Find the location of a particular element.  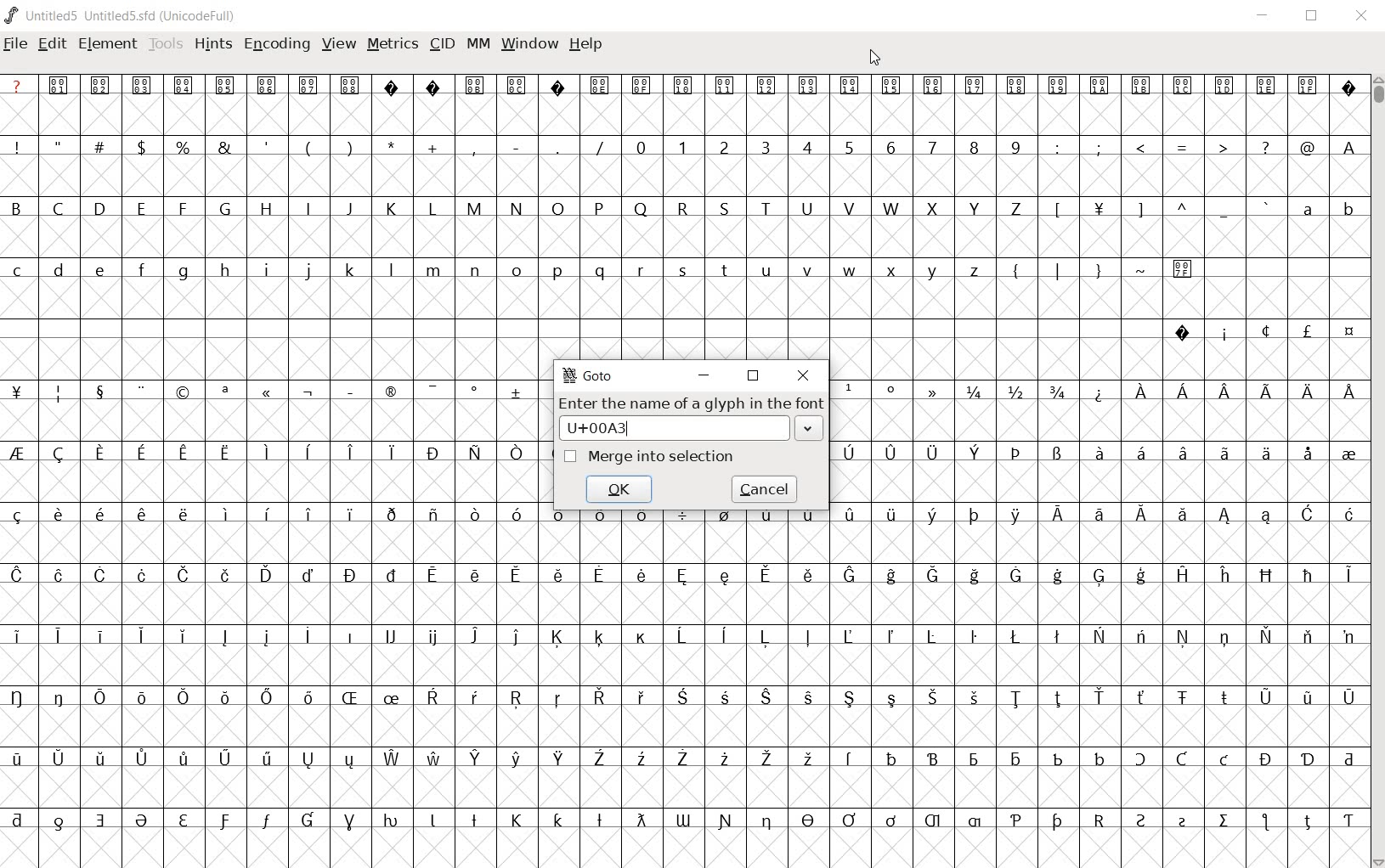

HINTS is located at coordinates (213, 45).